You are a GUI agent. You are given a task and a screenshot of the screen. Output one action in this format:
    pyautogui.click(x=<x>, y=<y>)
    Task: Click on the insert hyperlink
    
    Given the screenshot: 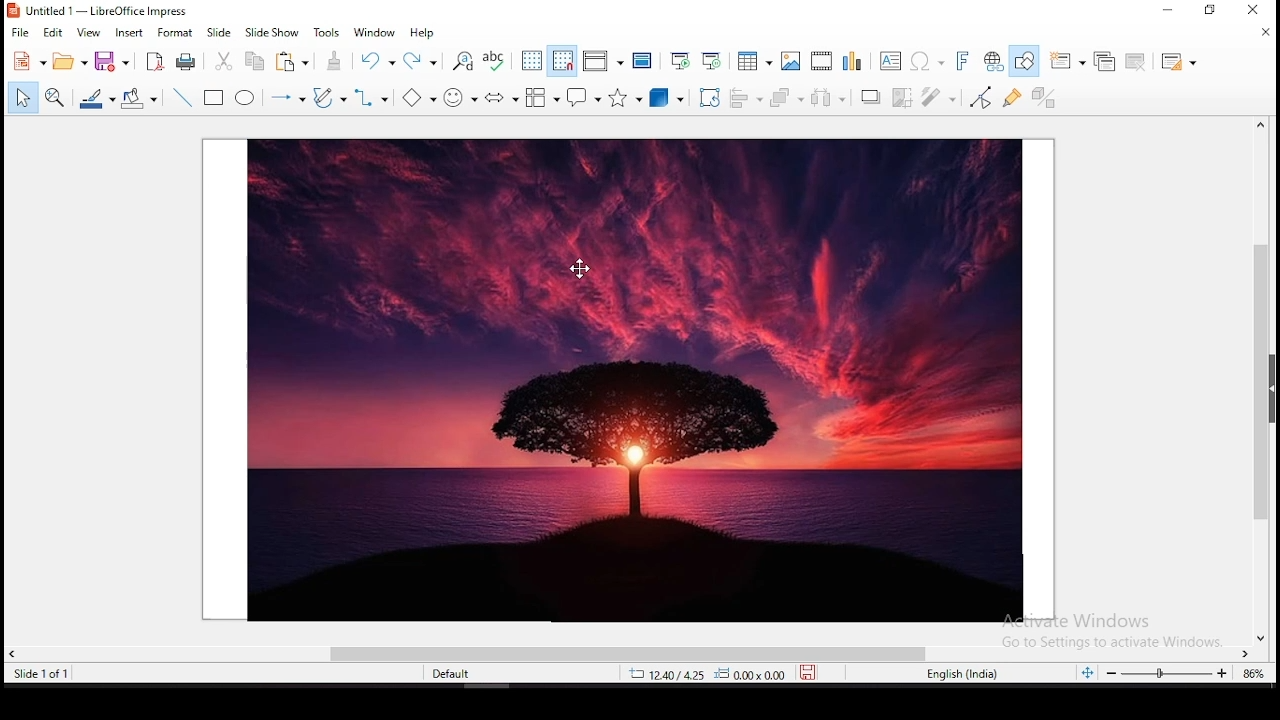 What is the action you would take?
    pyautogui.click(x=996, y=61)
    